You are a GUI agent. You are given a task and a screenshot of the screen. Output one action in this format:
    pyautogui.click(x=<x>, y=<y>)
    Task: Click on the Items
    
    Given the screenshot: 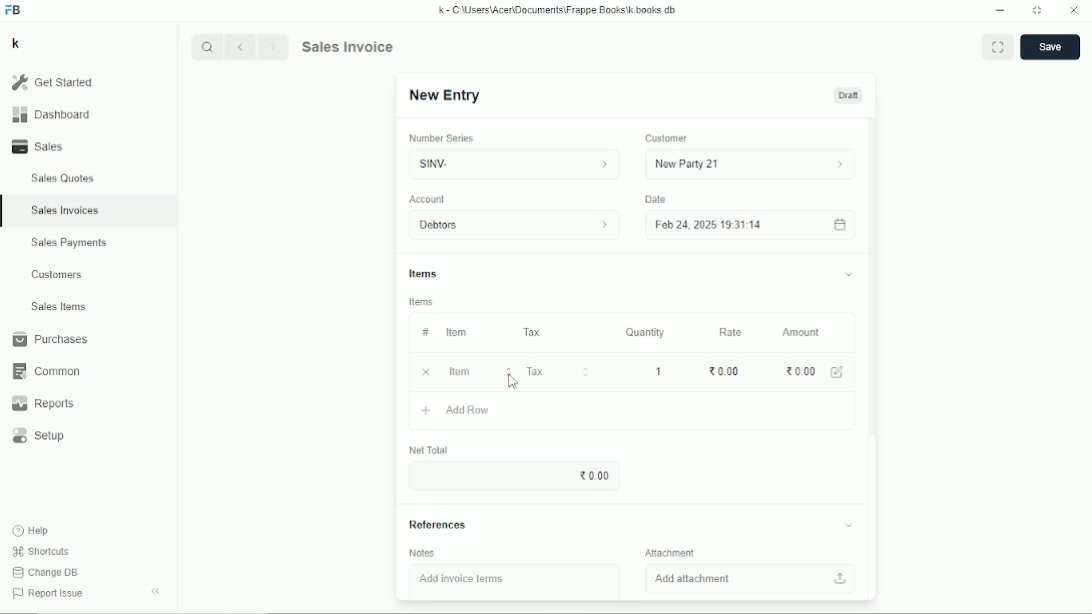 What is the action you would take?
    pyautogui.click(x=631, y=276)
    